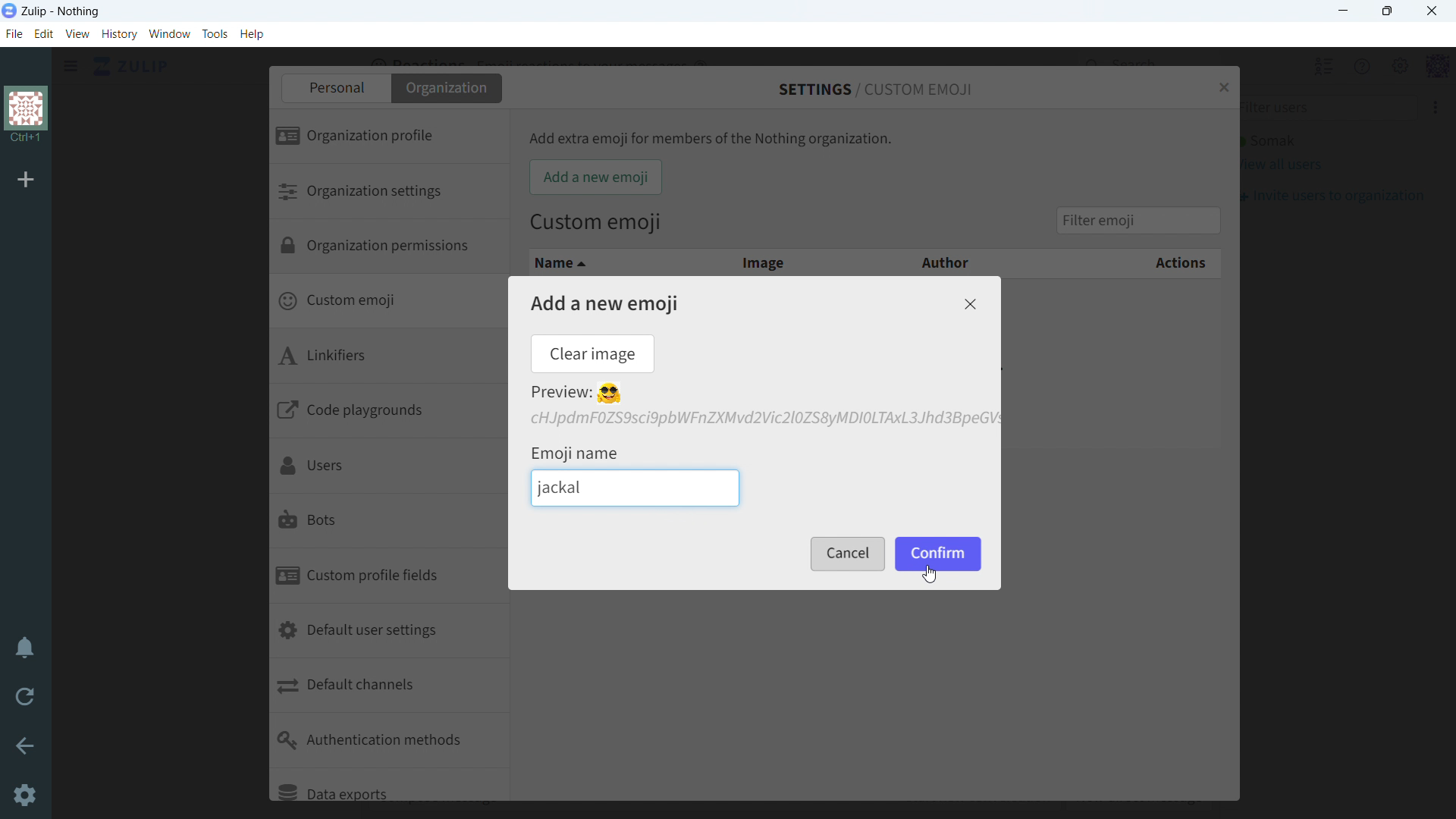 The width and height of the screenshot is (1456, 819). Describe the element at coordinates (13, 34) in the screenshot. I see `file` at that location.